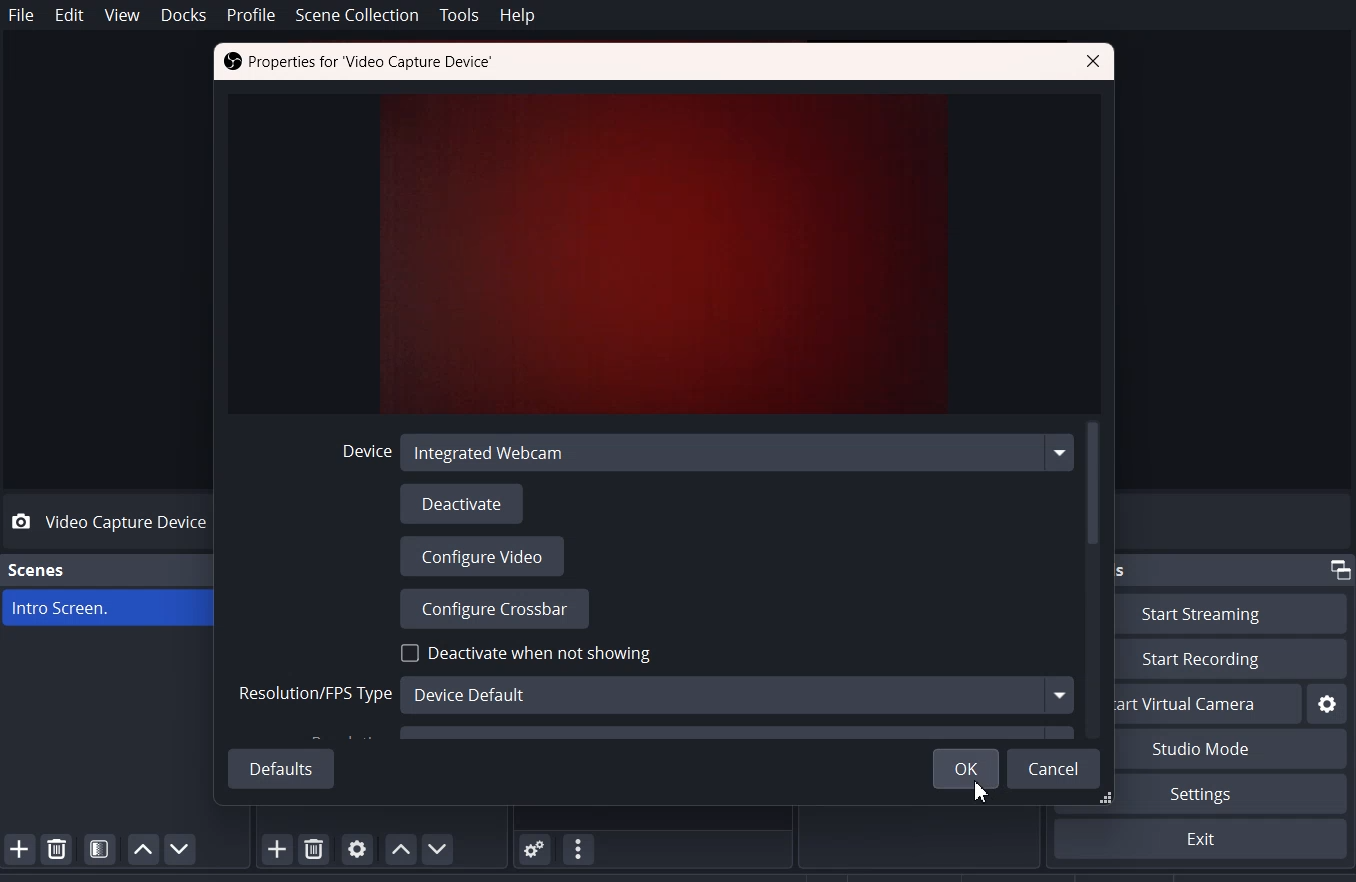 This screenshot has height=882, width=1356. I want to click on Settings, so click(1231, 794).